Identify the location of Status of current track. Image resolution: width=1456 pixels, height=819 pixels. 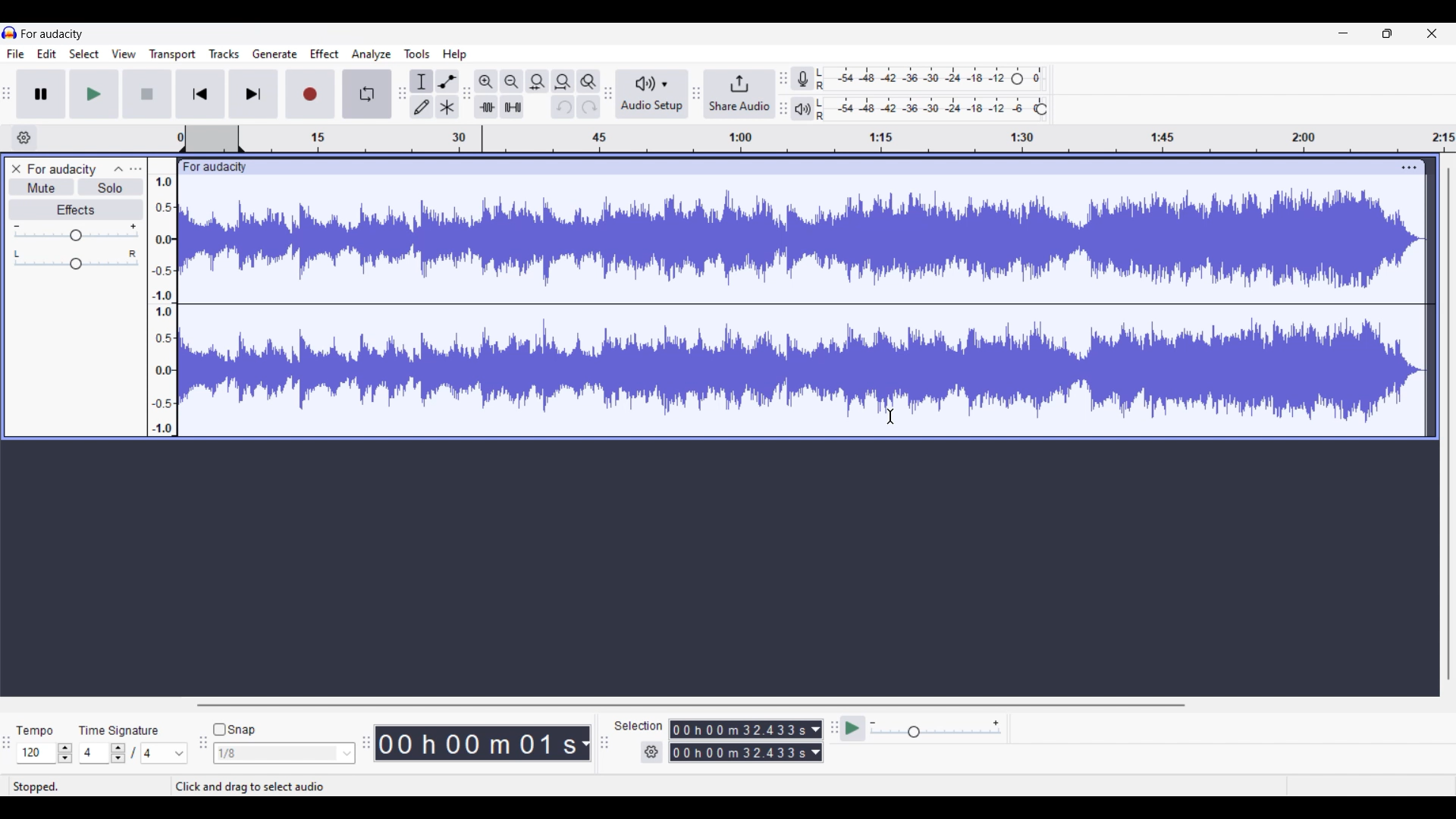
(38, 786).